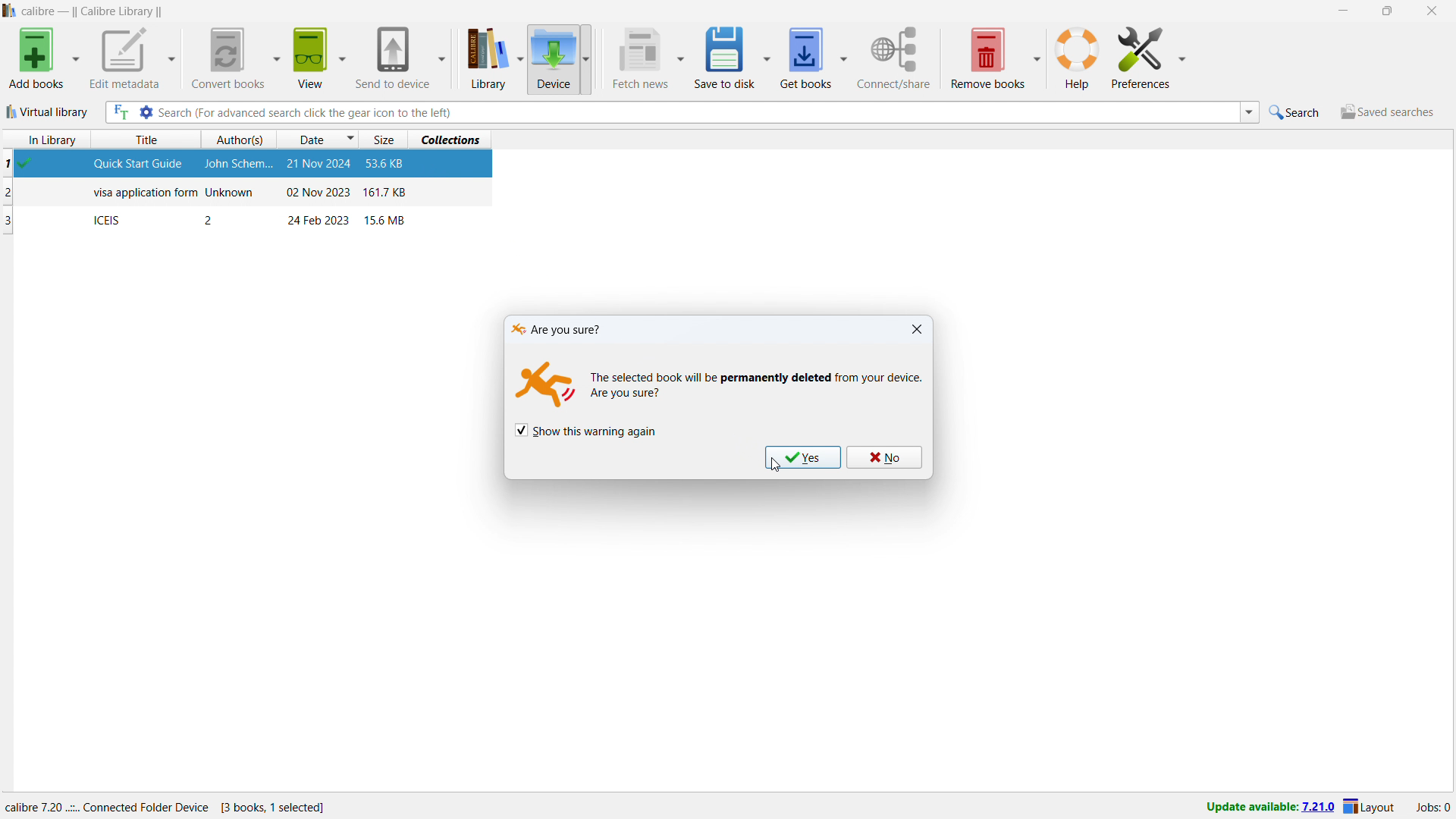 This screenshot has width=1456, height=819. I want to click on edit metadata options, so click(172, 60).